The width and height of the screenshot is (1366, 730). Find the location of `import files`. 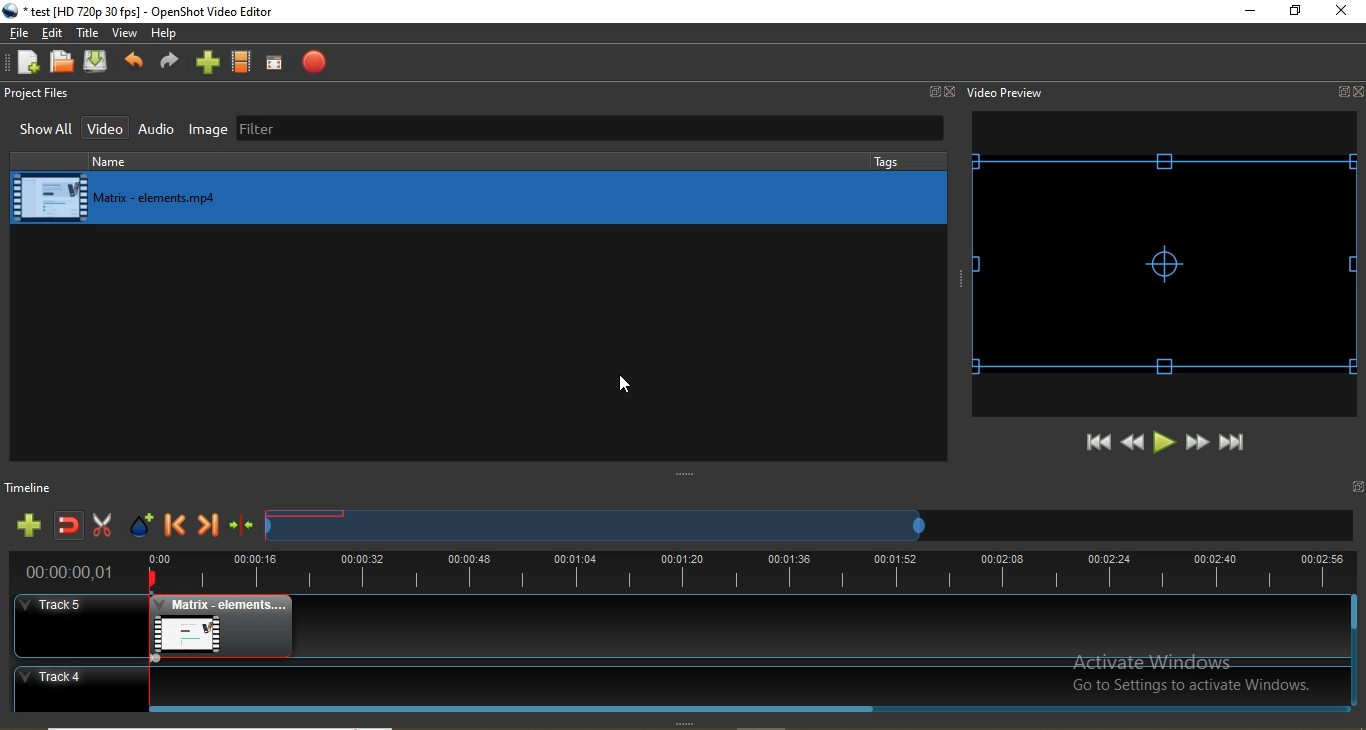

import files is located at coordinates (209, 62).